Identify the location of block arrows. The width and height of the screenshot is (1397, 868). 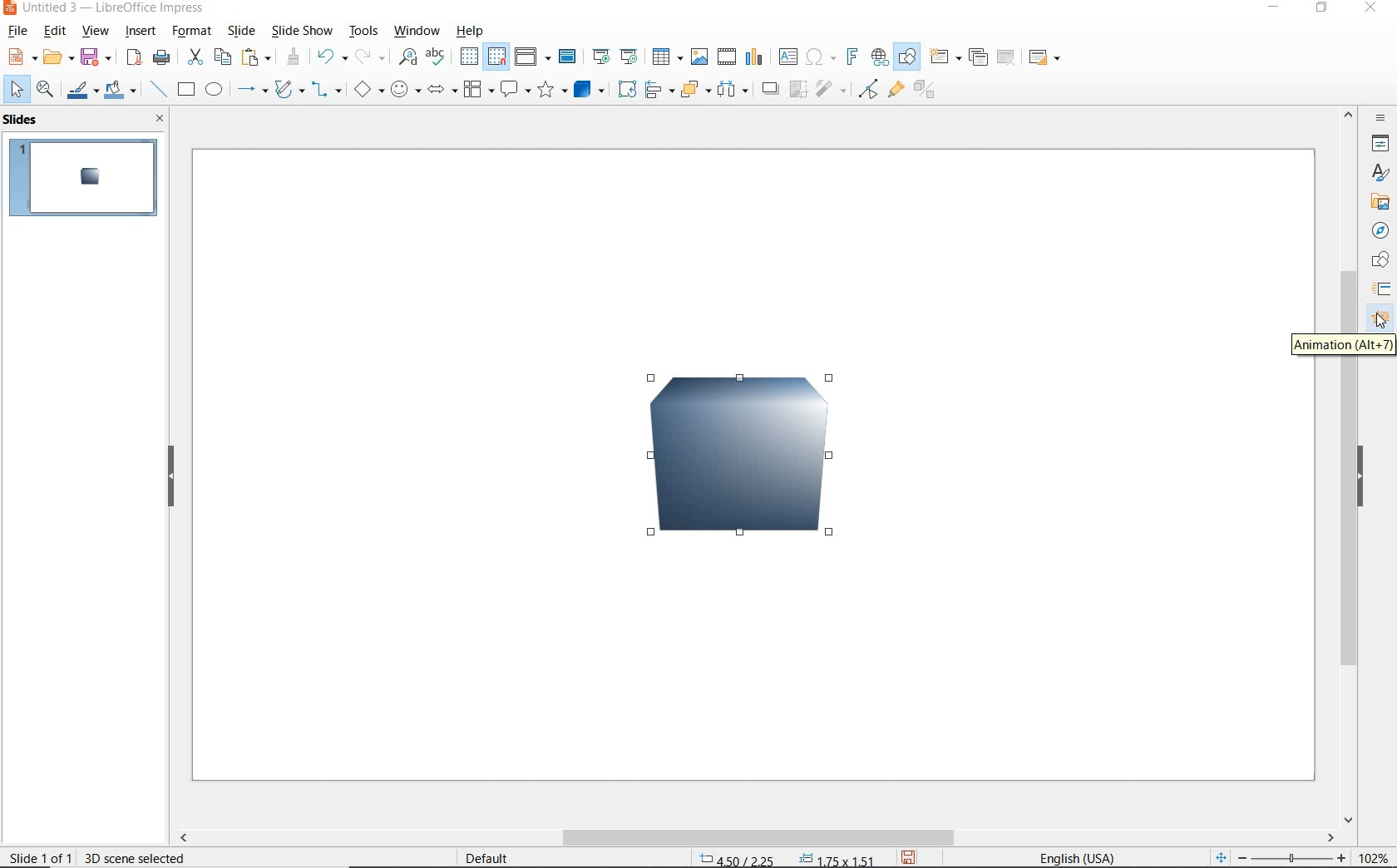
(439, 92).